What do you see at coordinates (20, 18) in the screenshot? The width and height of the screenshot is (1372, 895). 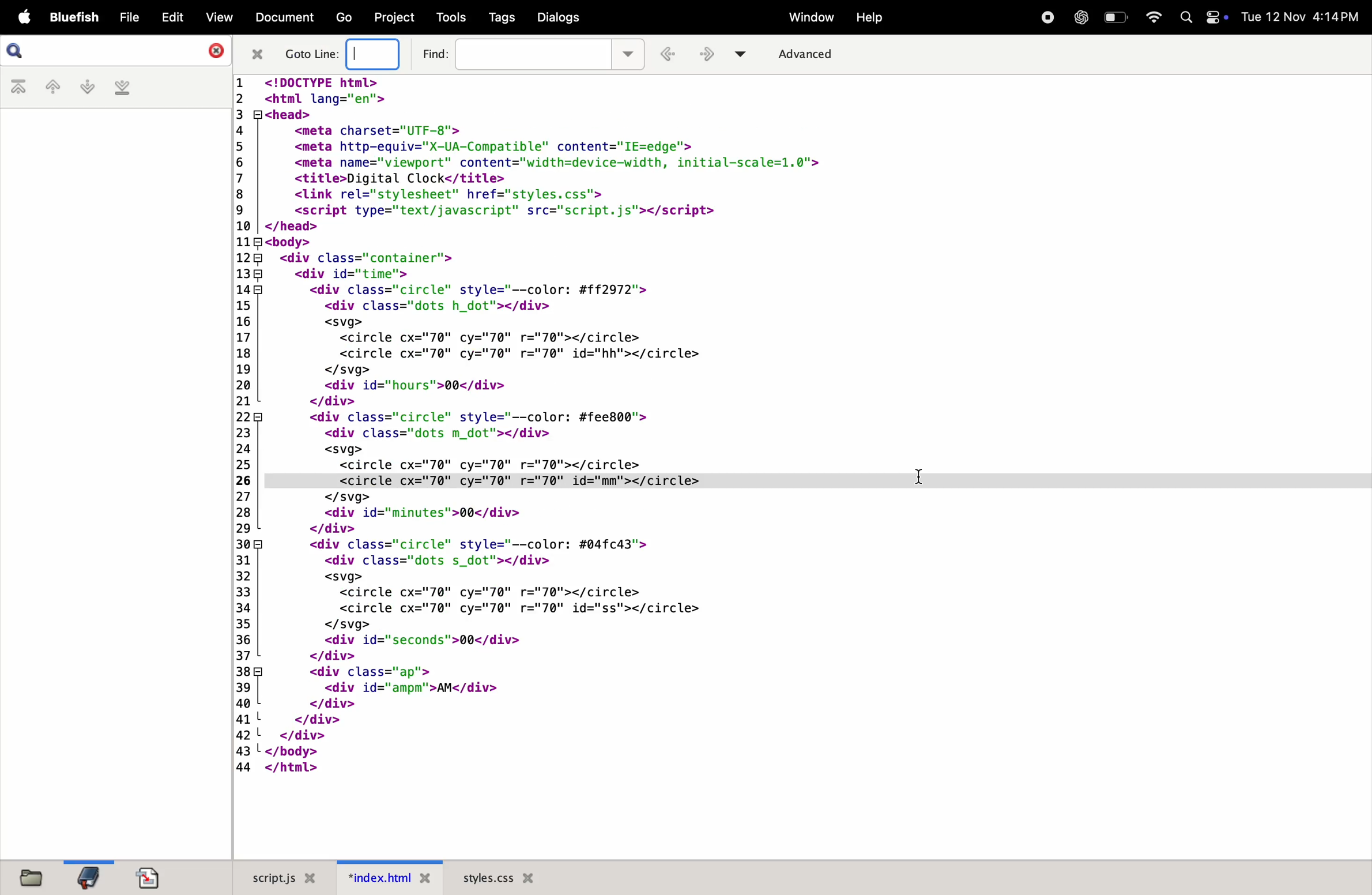 I see `apple menu` at bounding box center [20, 18].